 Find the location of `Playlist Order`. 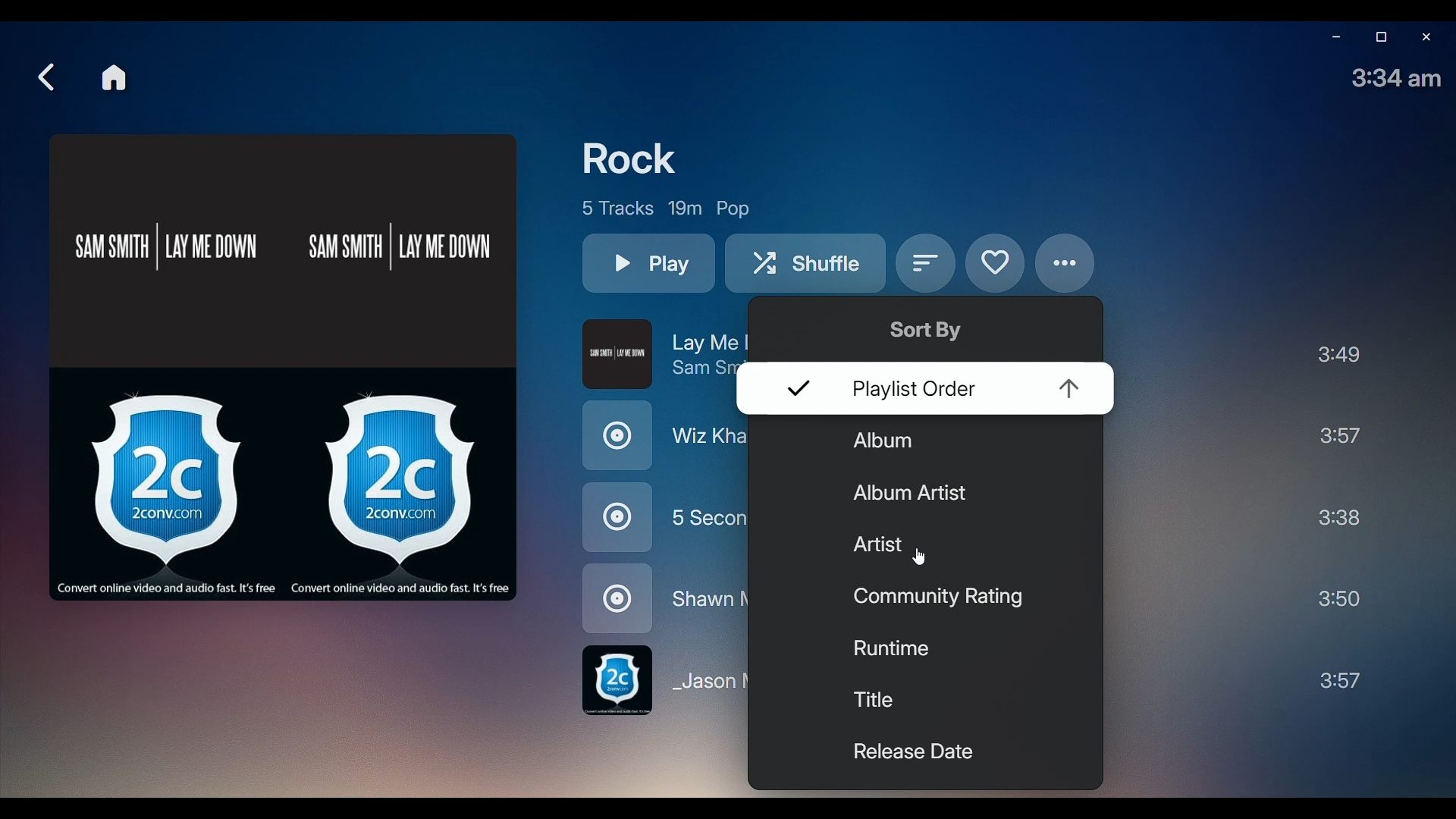

Playlist Order is located at coordinates (935, 391).